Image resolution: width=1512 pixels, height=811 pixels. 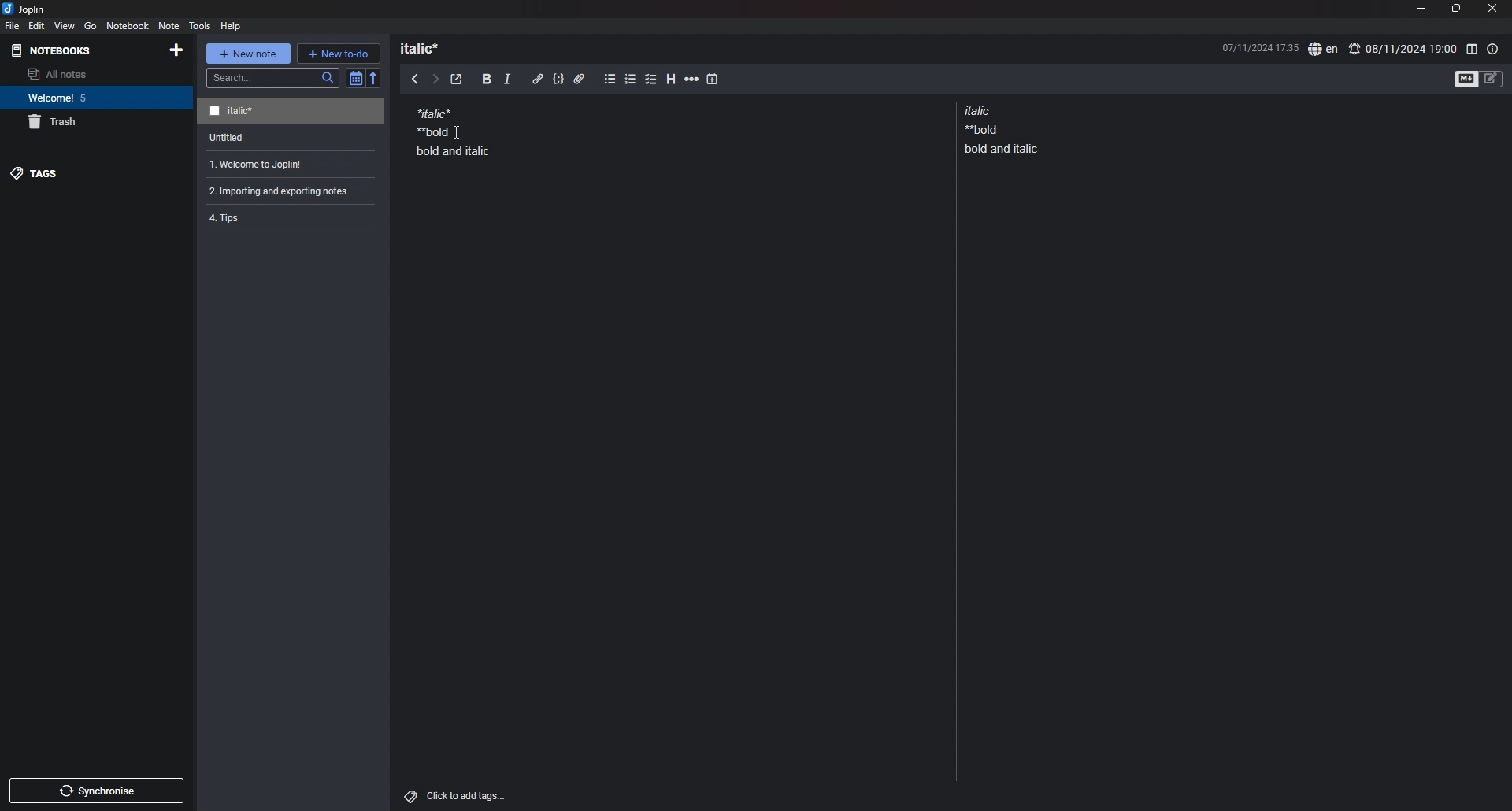 I want to click on joplin, so click(x=24, y=9).